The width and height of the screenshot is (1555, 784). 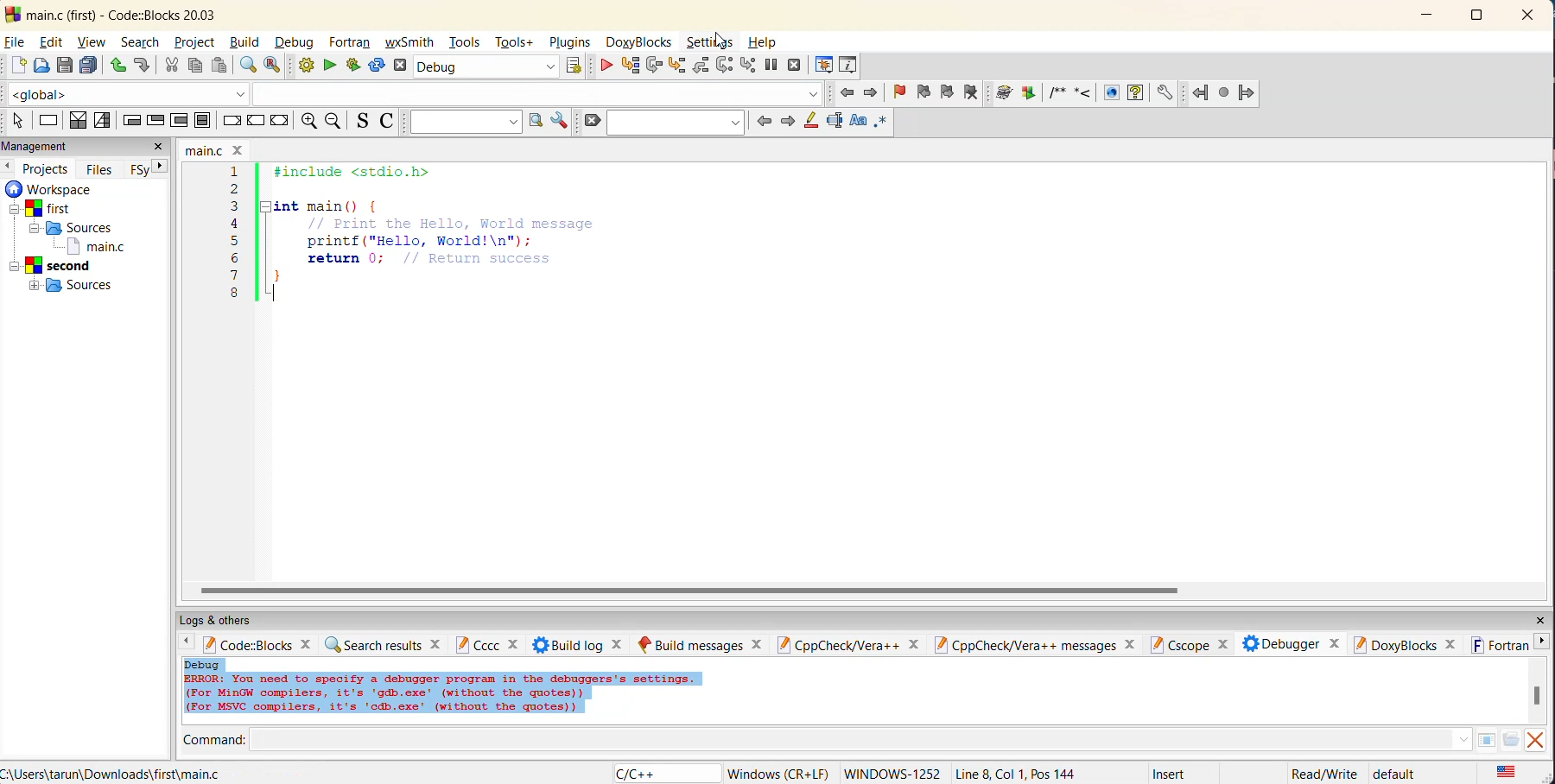 I want to click on next instruction, so click(x=722, y=67).